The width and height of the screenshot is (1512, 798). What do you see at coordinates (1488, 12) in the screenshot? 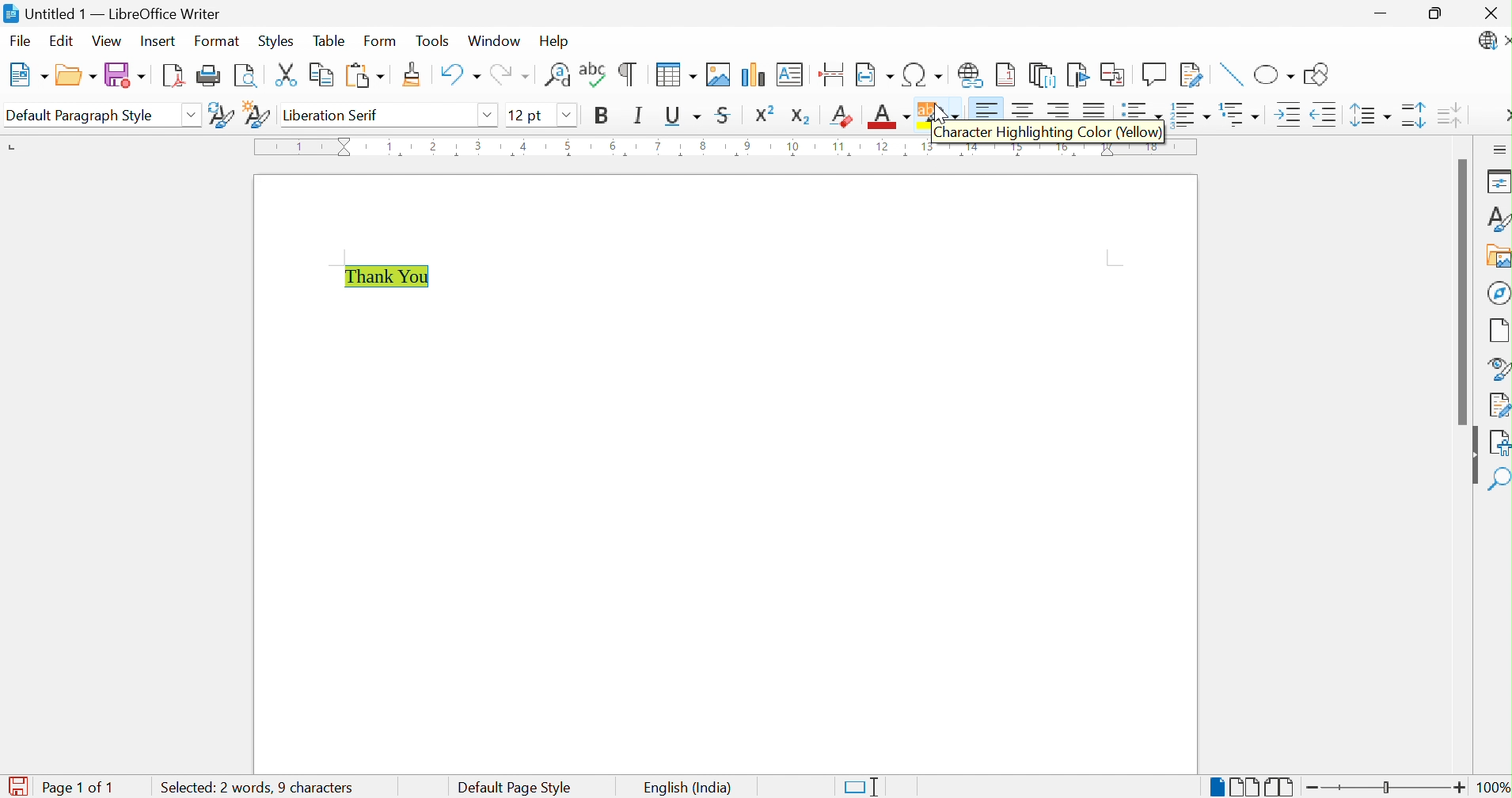
I see `Close` at bounding box center [1488, 12].